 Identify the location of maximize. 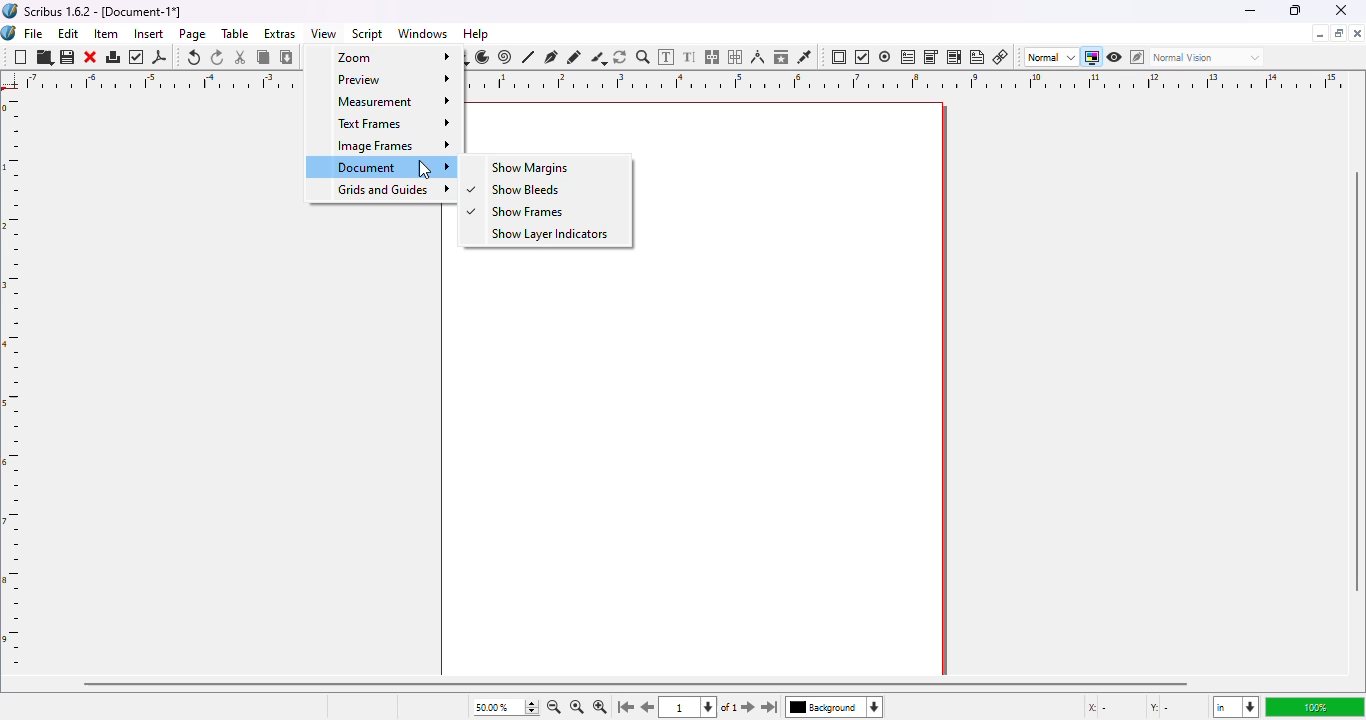
(1294, 10).